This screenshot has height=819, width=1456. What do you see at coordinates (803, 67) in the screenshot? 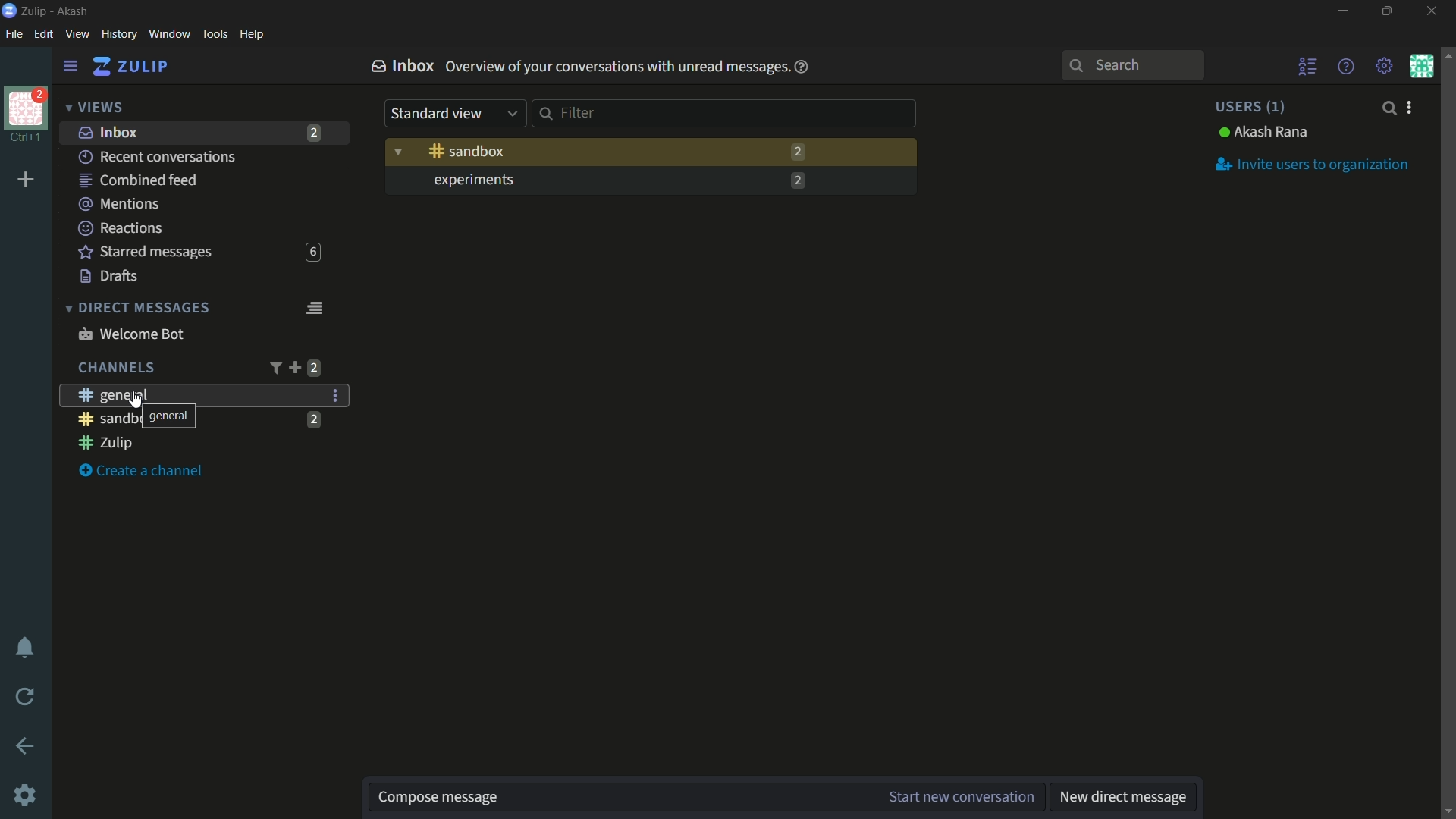
I see `Help` at bounding box center [803, 67].